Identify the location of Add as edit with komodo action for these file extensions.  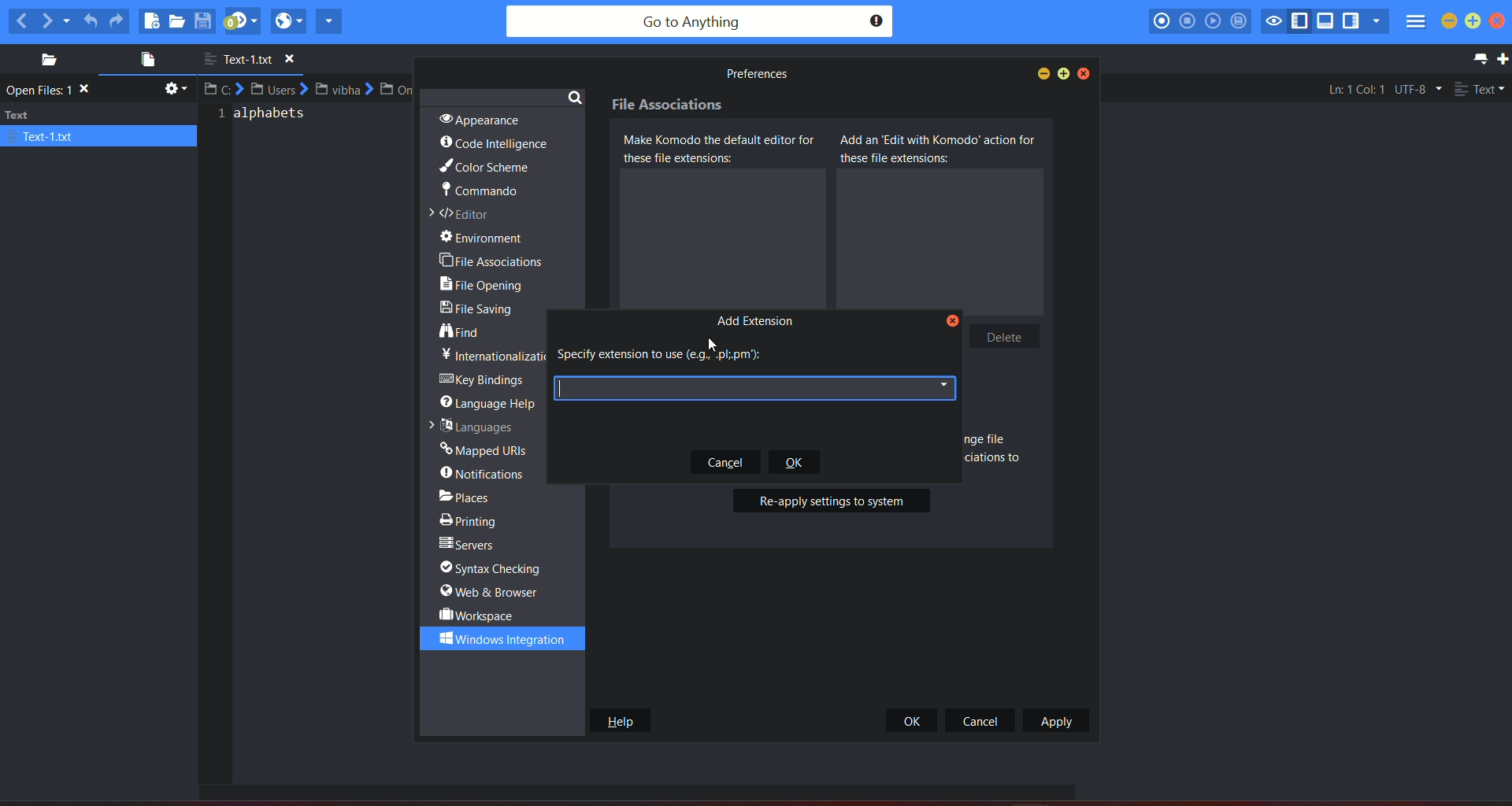
(939, 149).